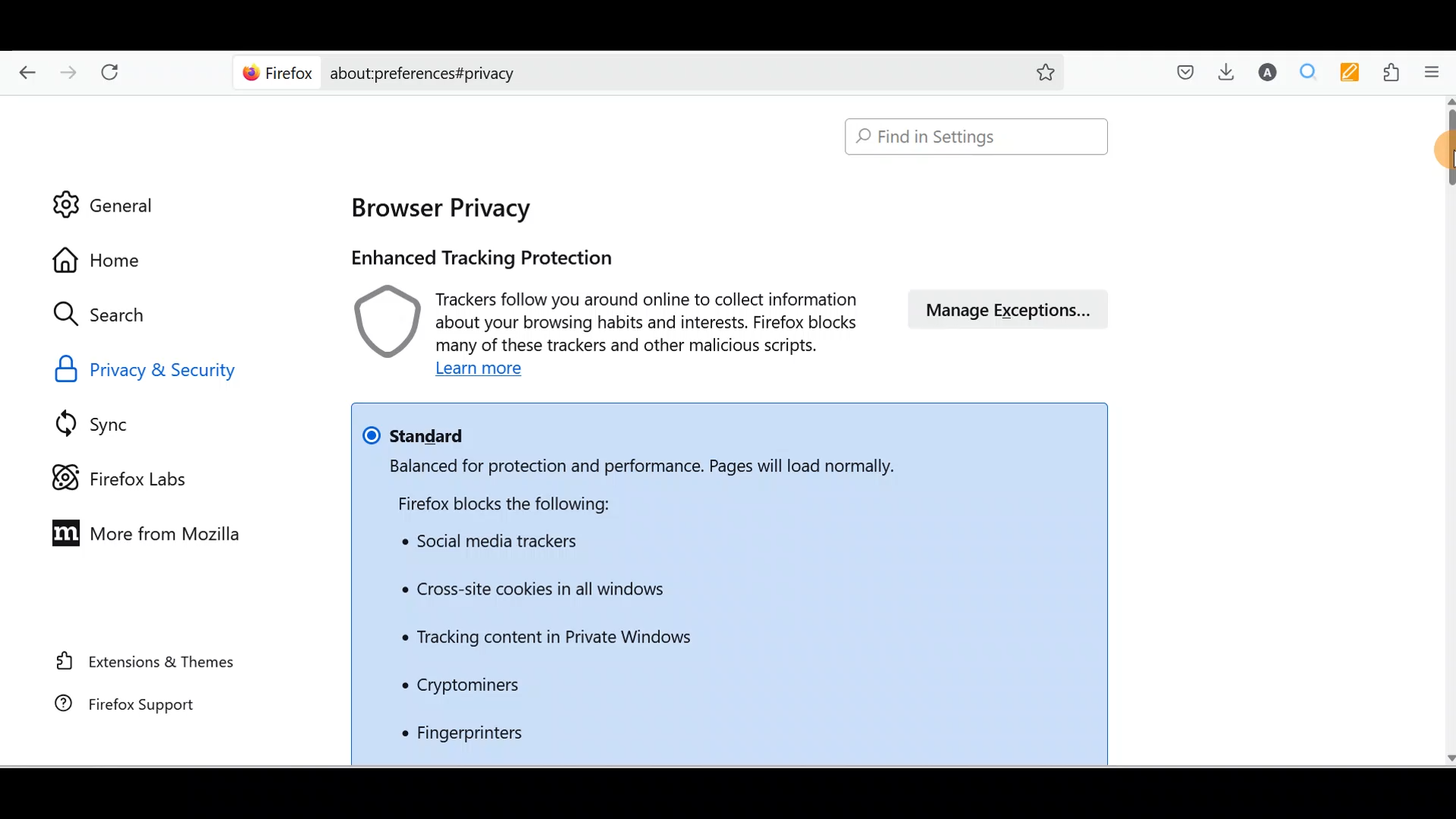  What do you see at coordinates (977, 137) in the screenshot?
I see `find in settings` at bounding box center [977, 137].